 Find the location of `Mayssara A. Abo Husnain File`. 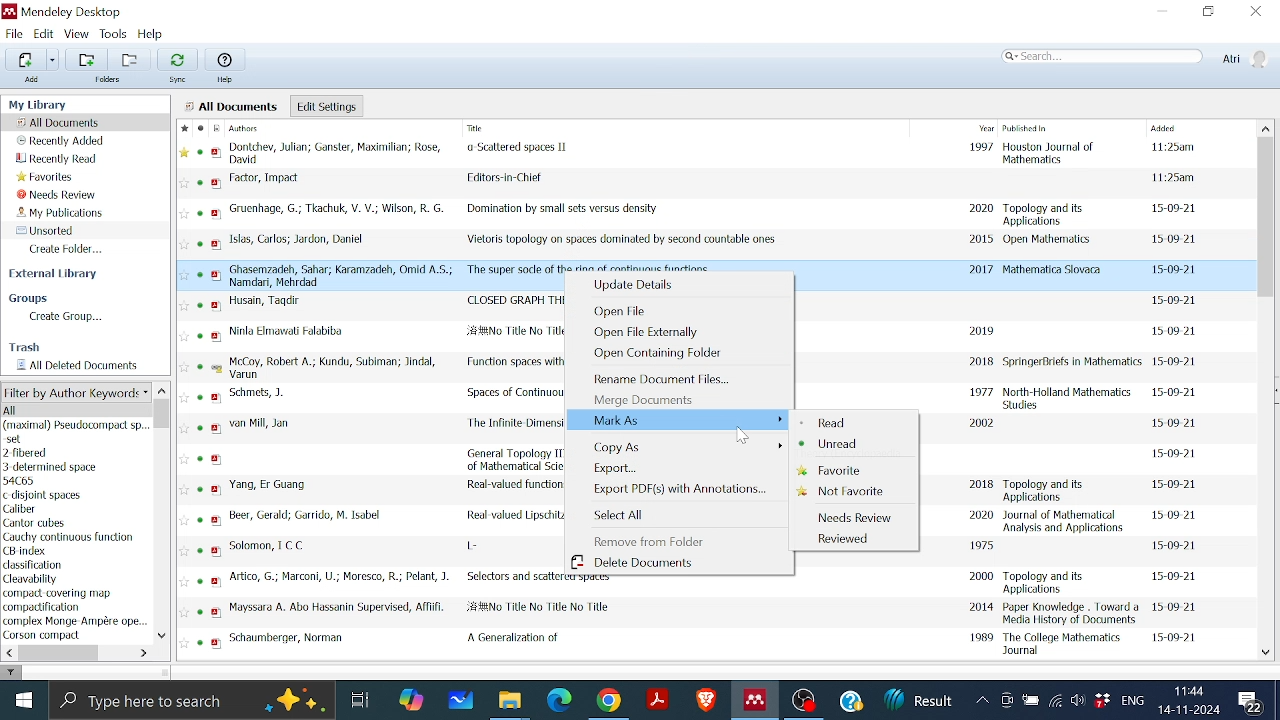

Mayssara A. Abo Husnain File is located at coordinates (710, 610).